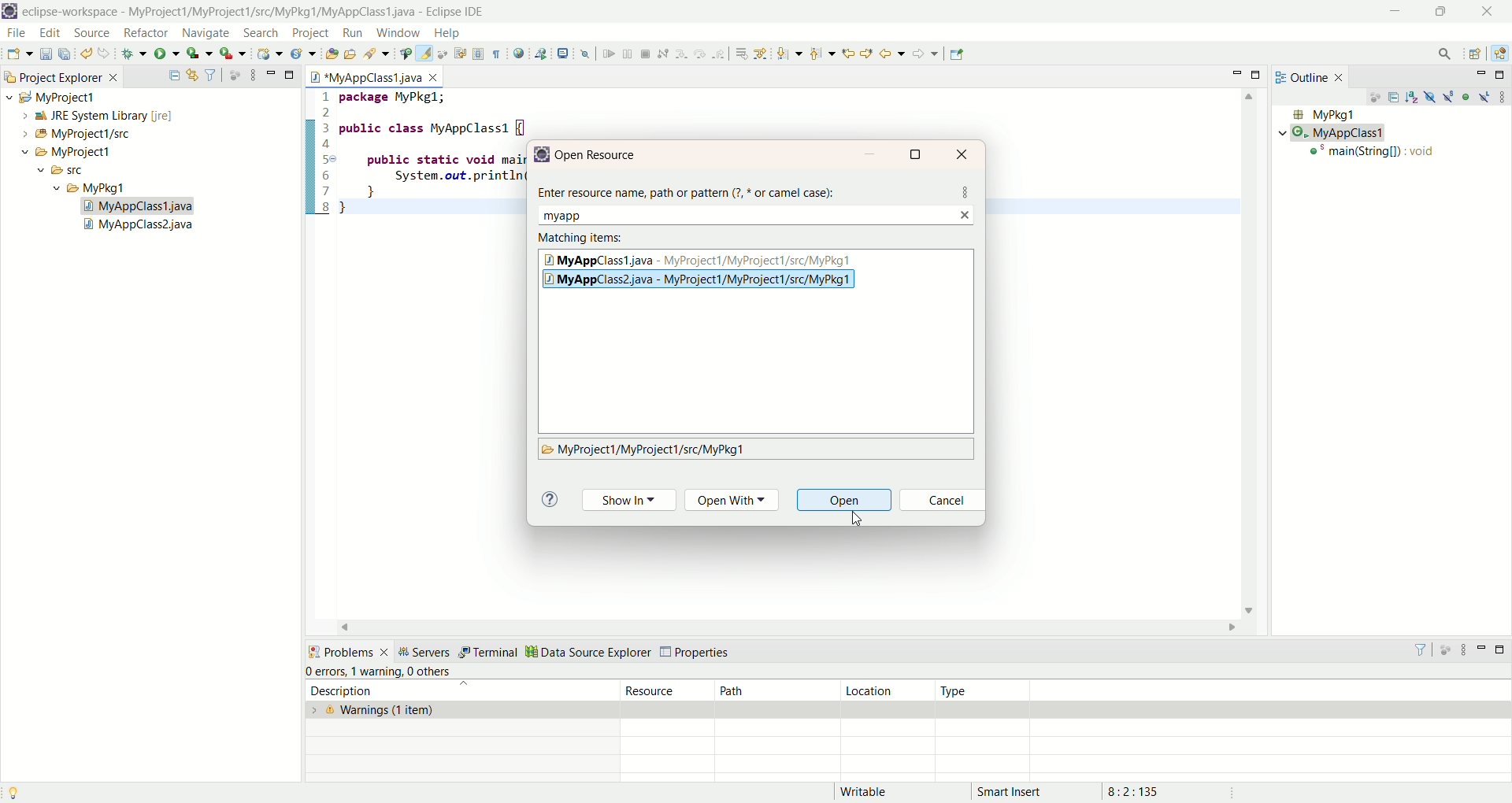 Image resolution: width=1512 pixels, height=803 pixels. Describe the element at coordinates (607, 55) in the screenshot. I see `resume` at that location.